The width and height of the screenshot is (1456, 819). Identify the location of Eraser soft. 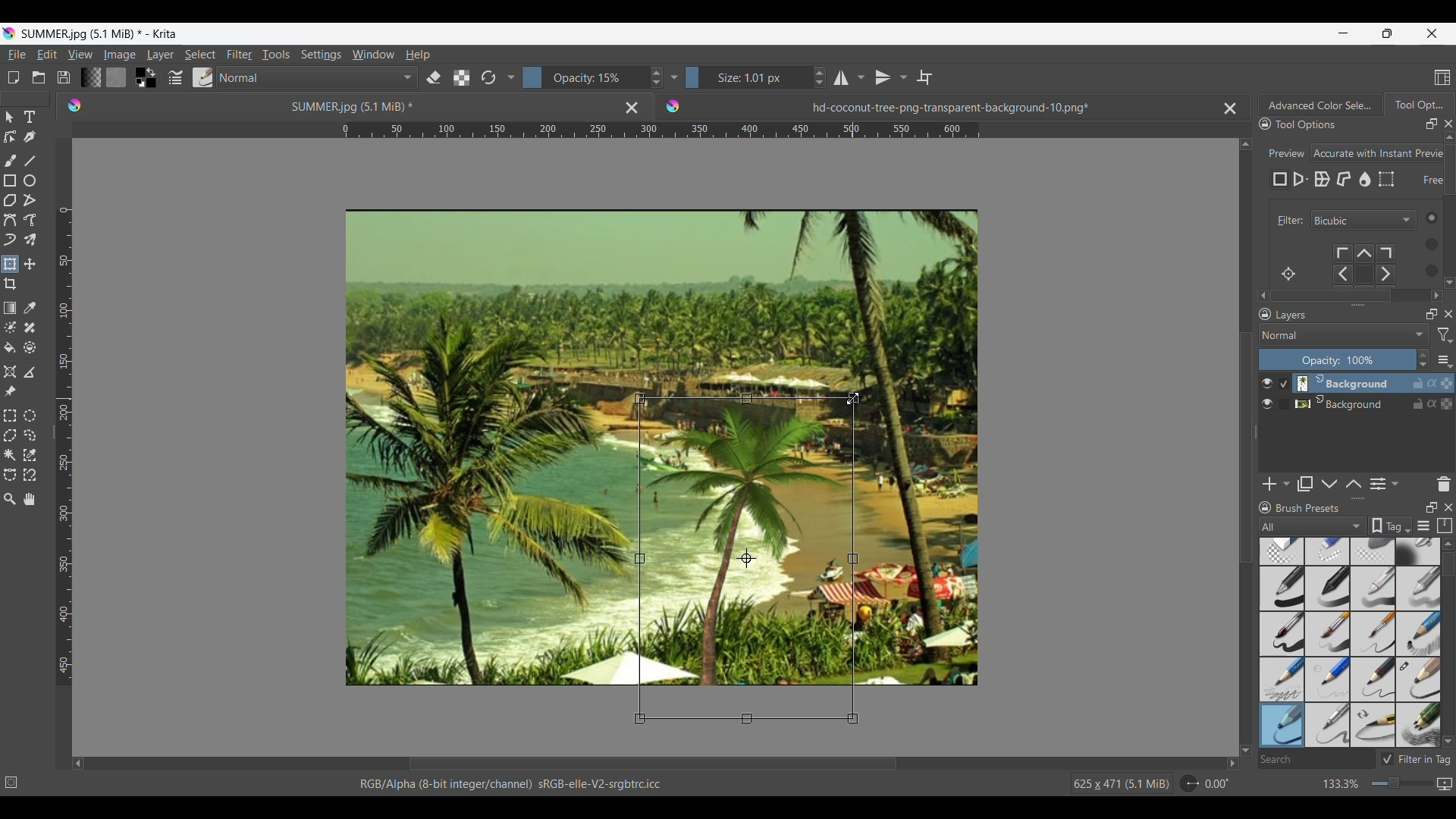
(1375, 551).